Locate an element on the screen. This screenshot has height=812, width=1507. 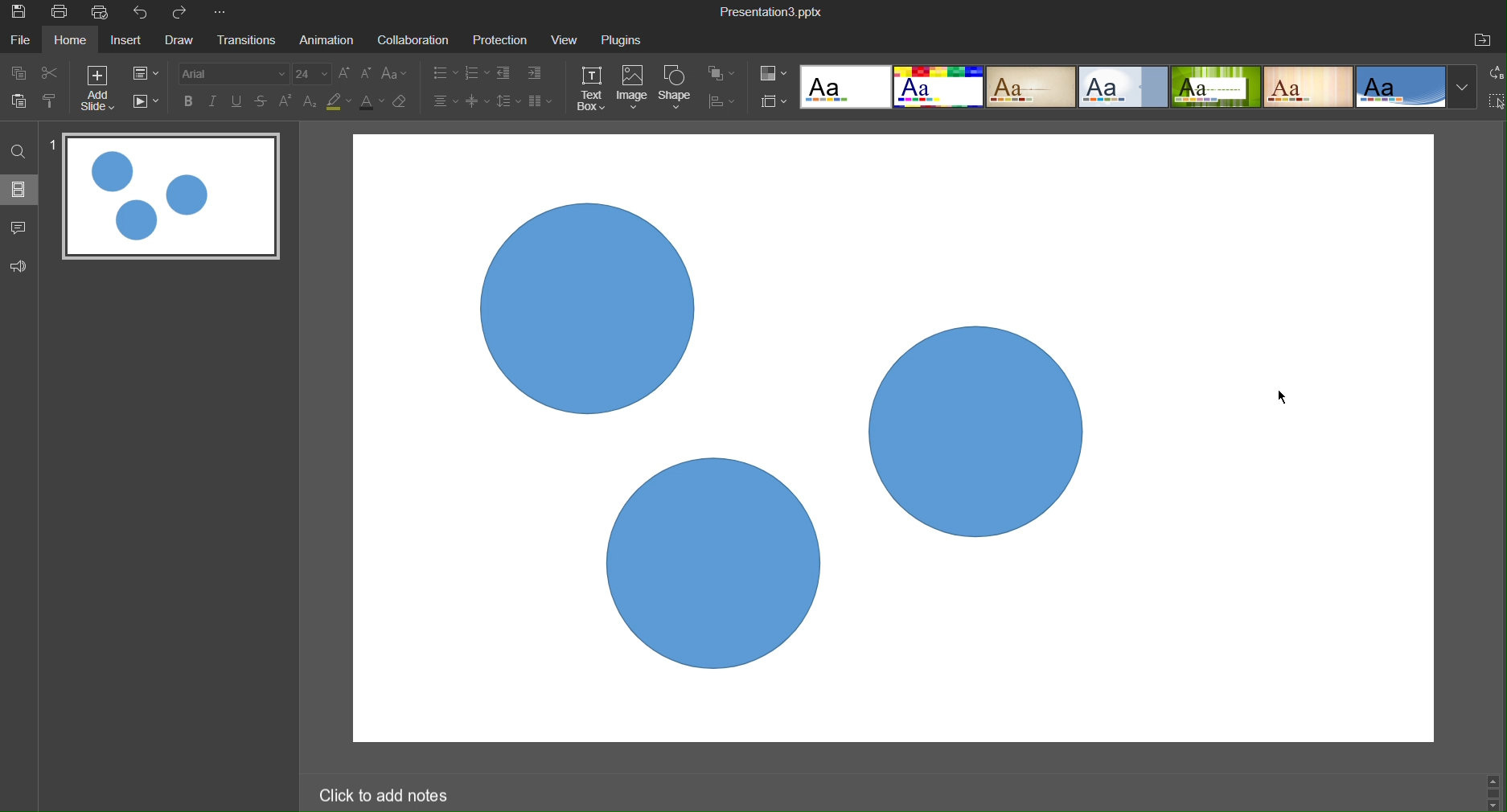
Shape 1 is located at coordinates (585, 310).